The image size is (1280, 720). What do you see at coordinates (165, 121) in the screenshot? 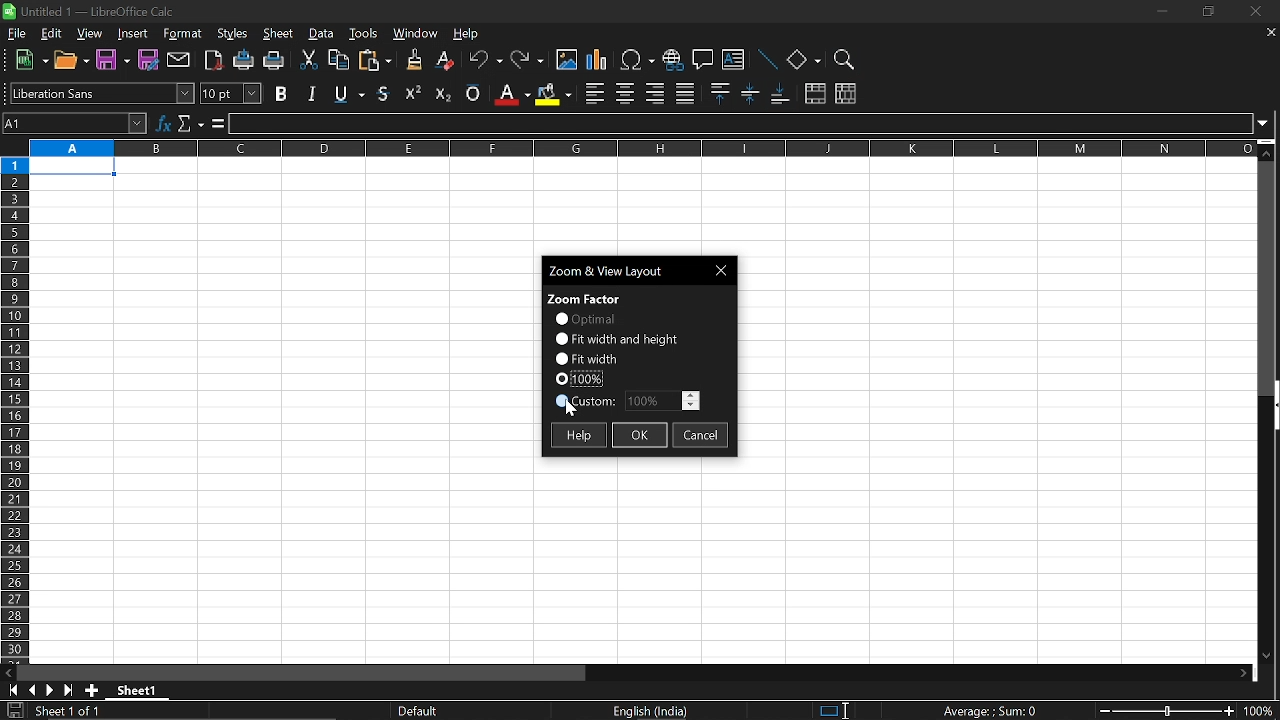
I see `function wizard` at bounding box center [165, 121].